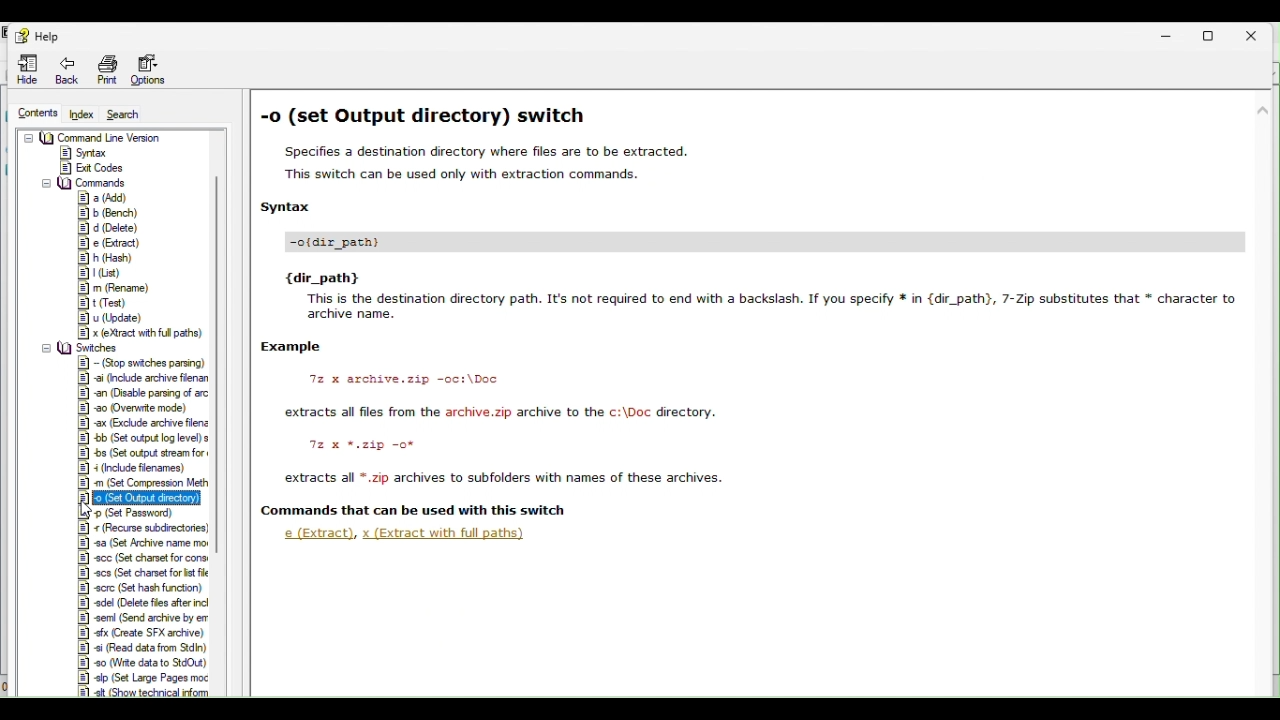  Describe the element at coordinates (142, 574) in the screenshot. I see `Set charset` at that location.